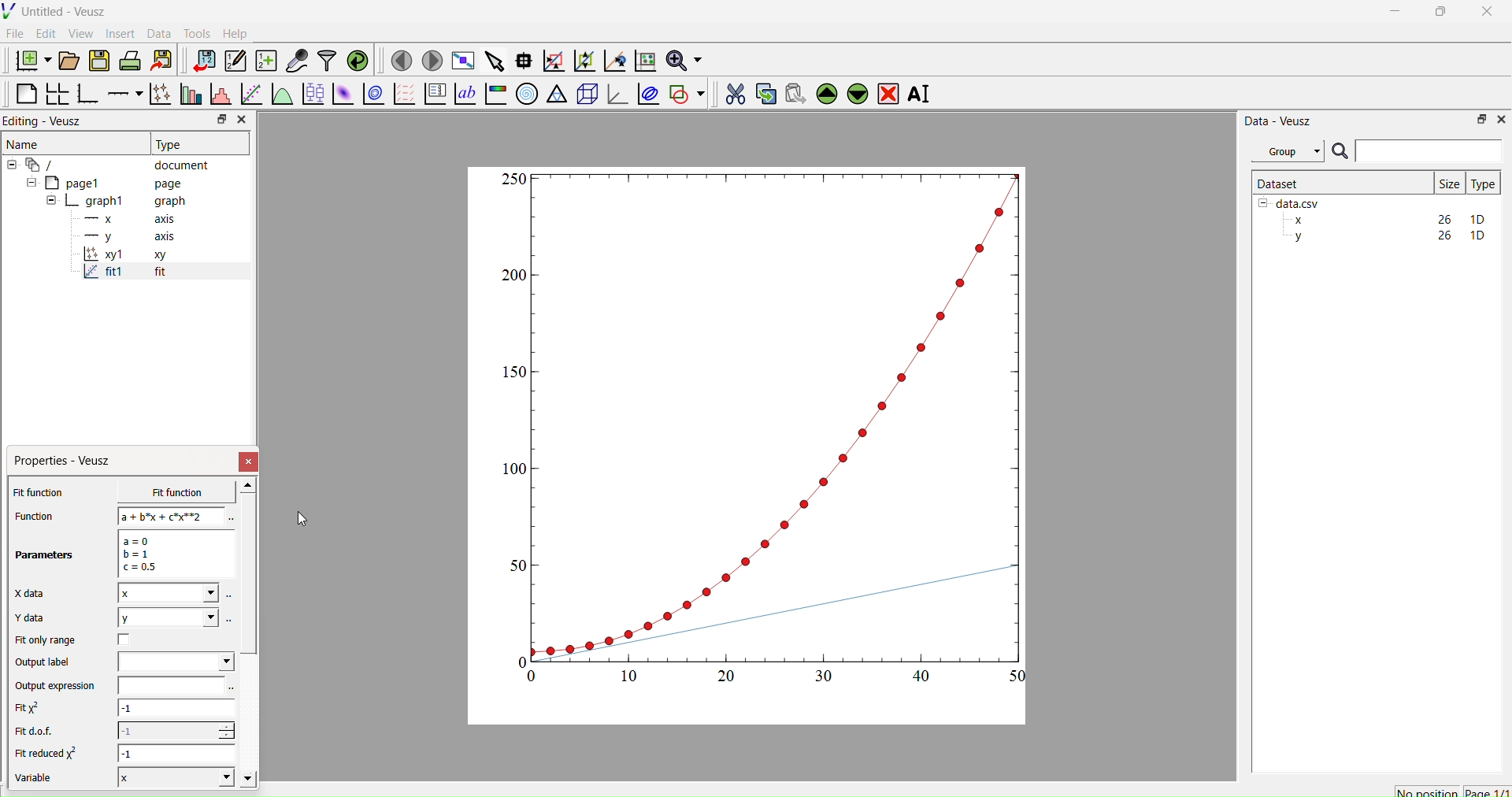 The width and height of the screenshot is (1512, 797). I want to click on document, so click(114, 164).